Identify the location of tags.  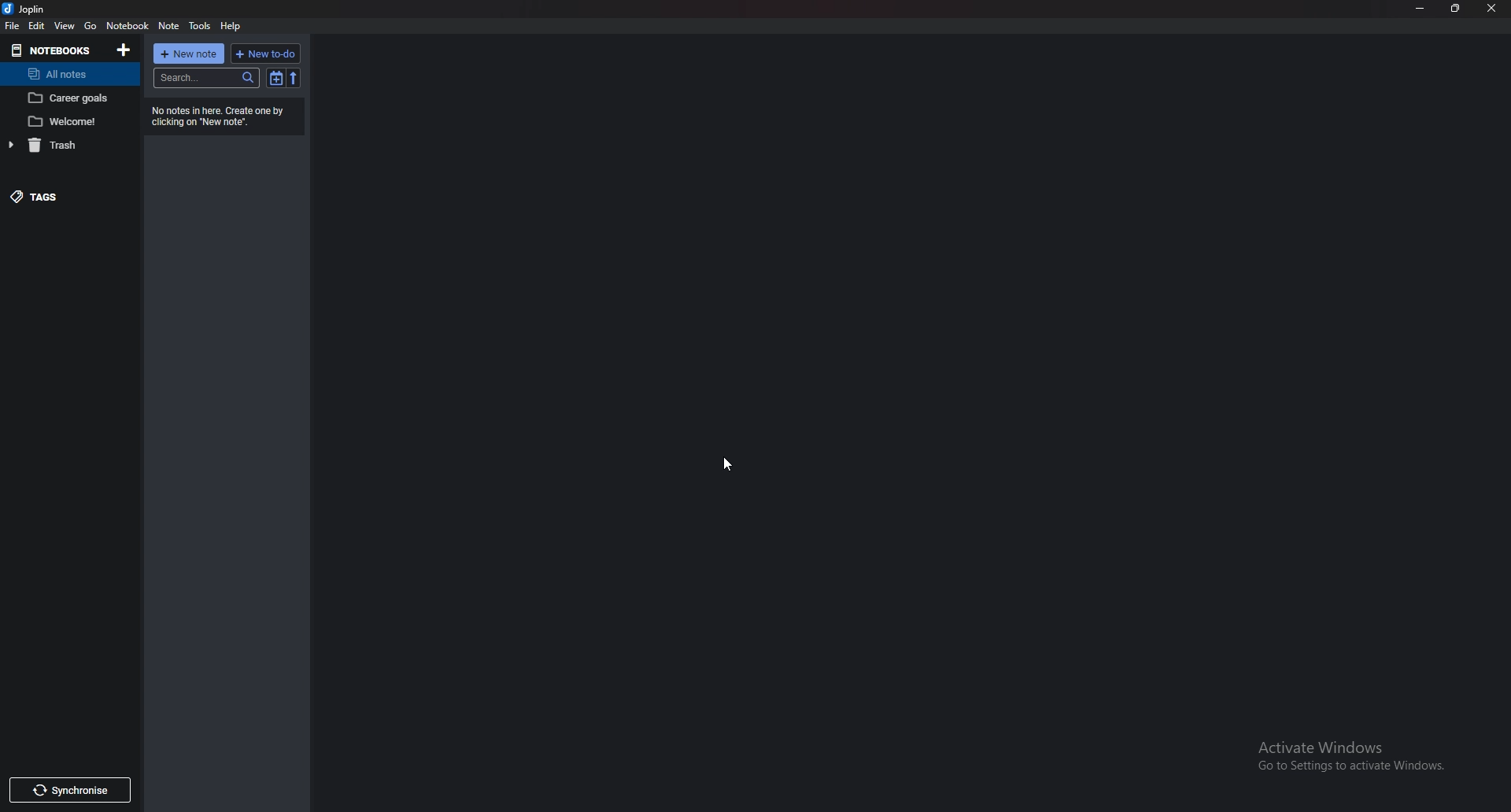
(56, 196).